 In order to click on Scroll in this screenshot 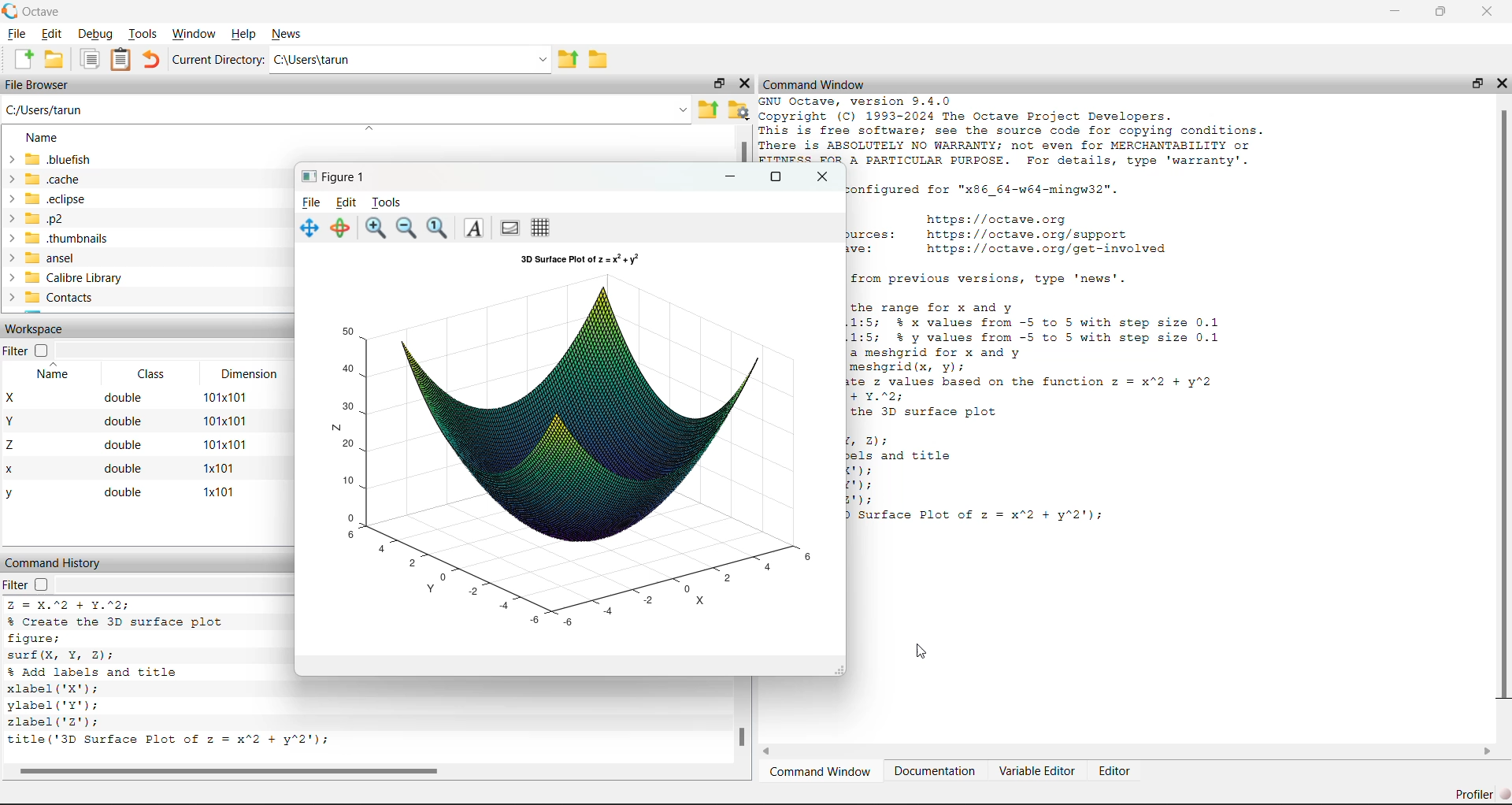, I will do `click(1128, 751)`.